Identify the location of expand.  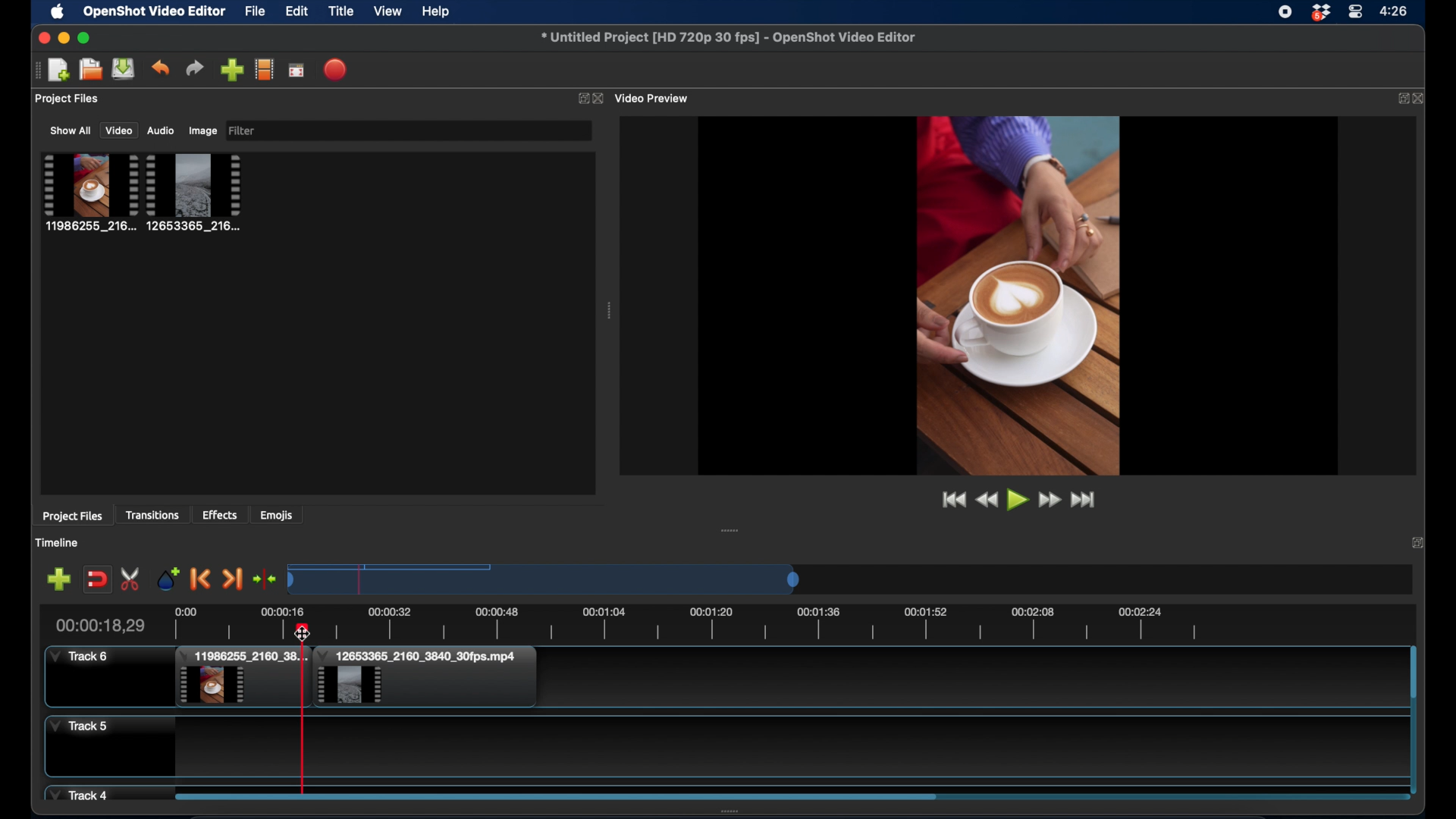
(1399, 98).